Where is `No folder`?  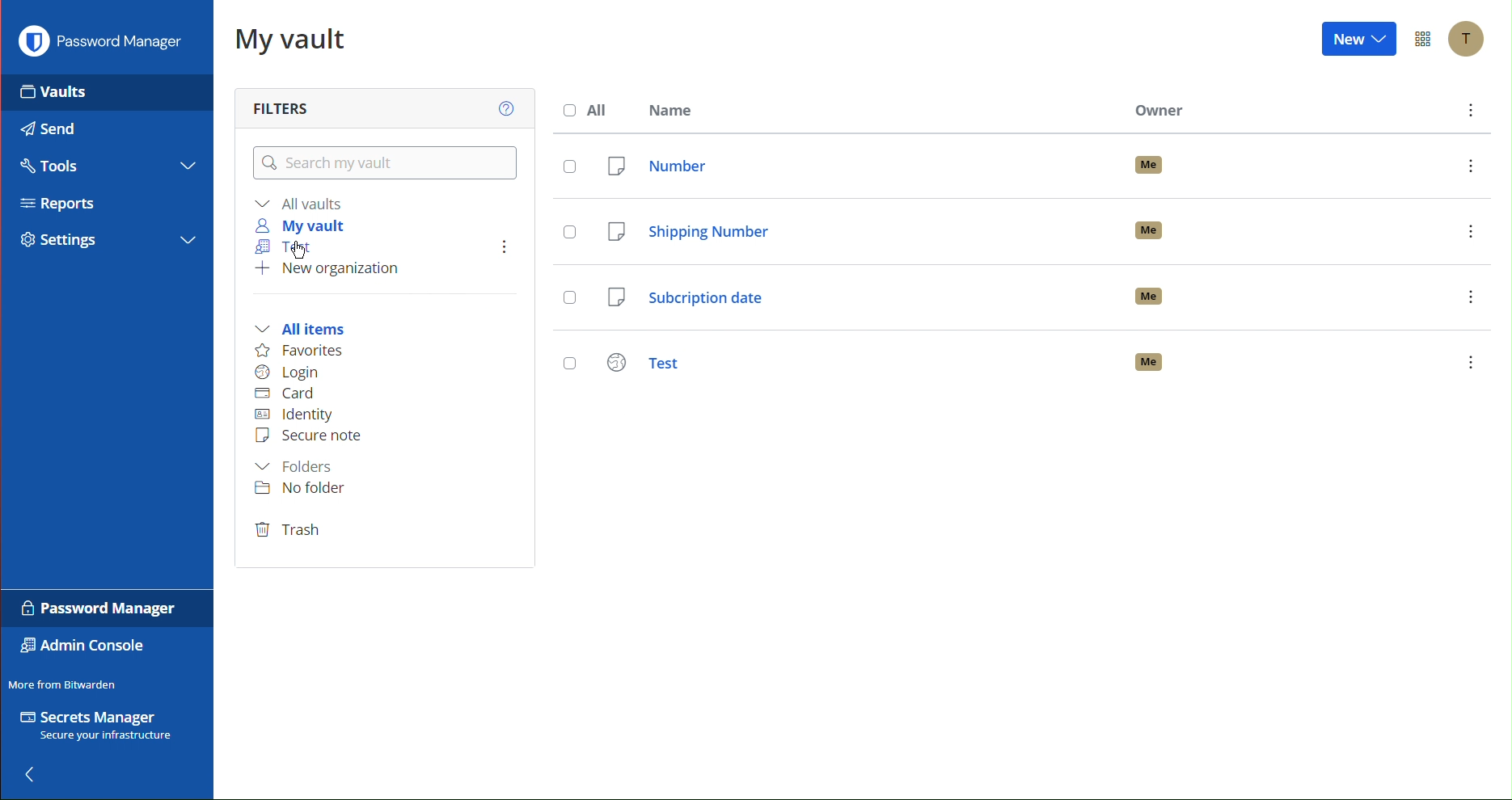 No folder is located at coordinates (300, 491).